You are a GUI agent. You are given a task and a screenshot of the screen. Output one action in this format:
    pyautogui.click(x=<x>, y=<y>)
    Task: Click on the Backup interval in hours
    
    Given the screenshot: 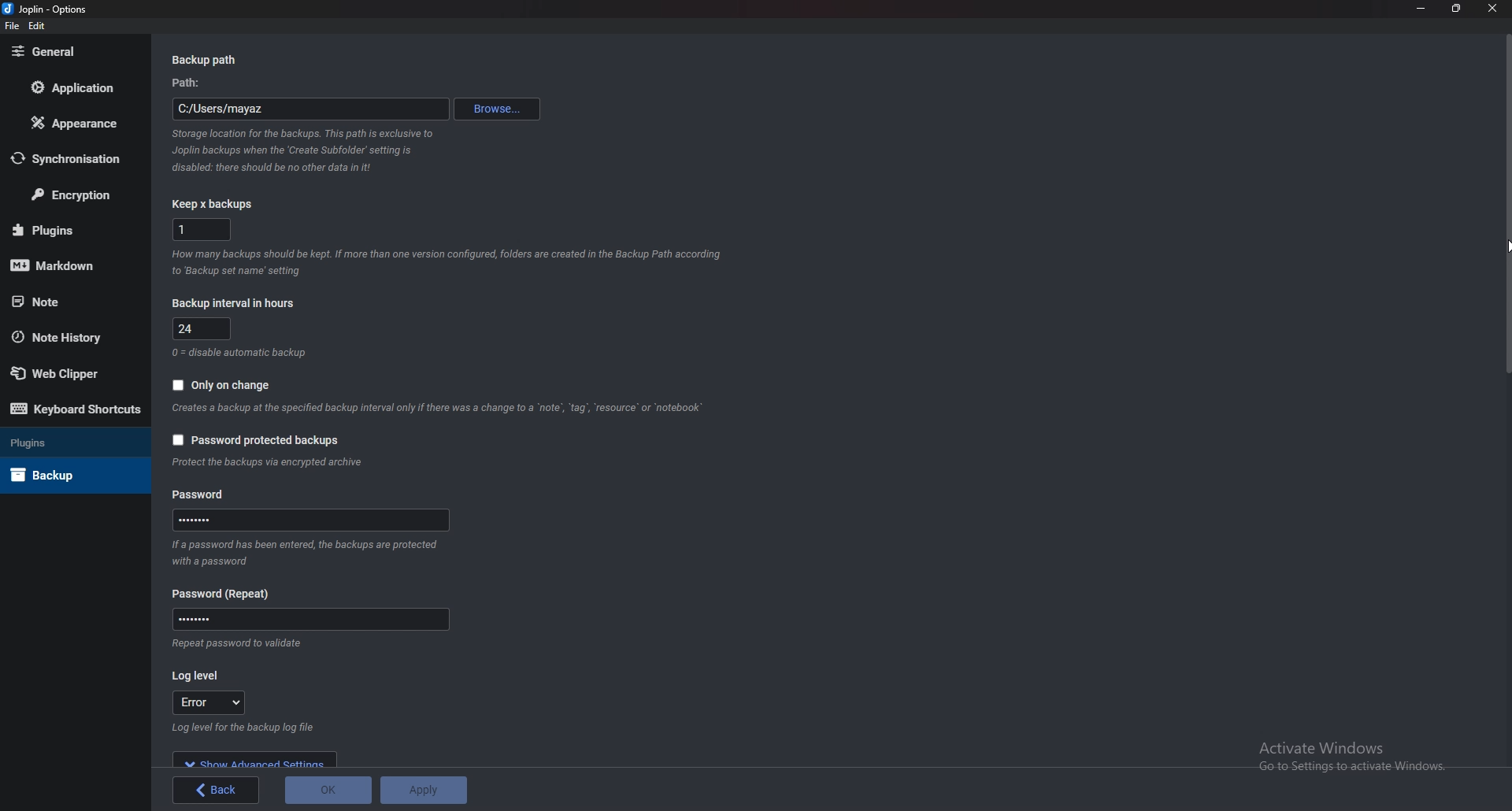 What is the action you would take?
    pyautogui.click(x=237, y=302)
    